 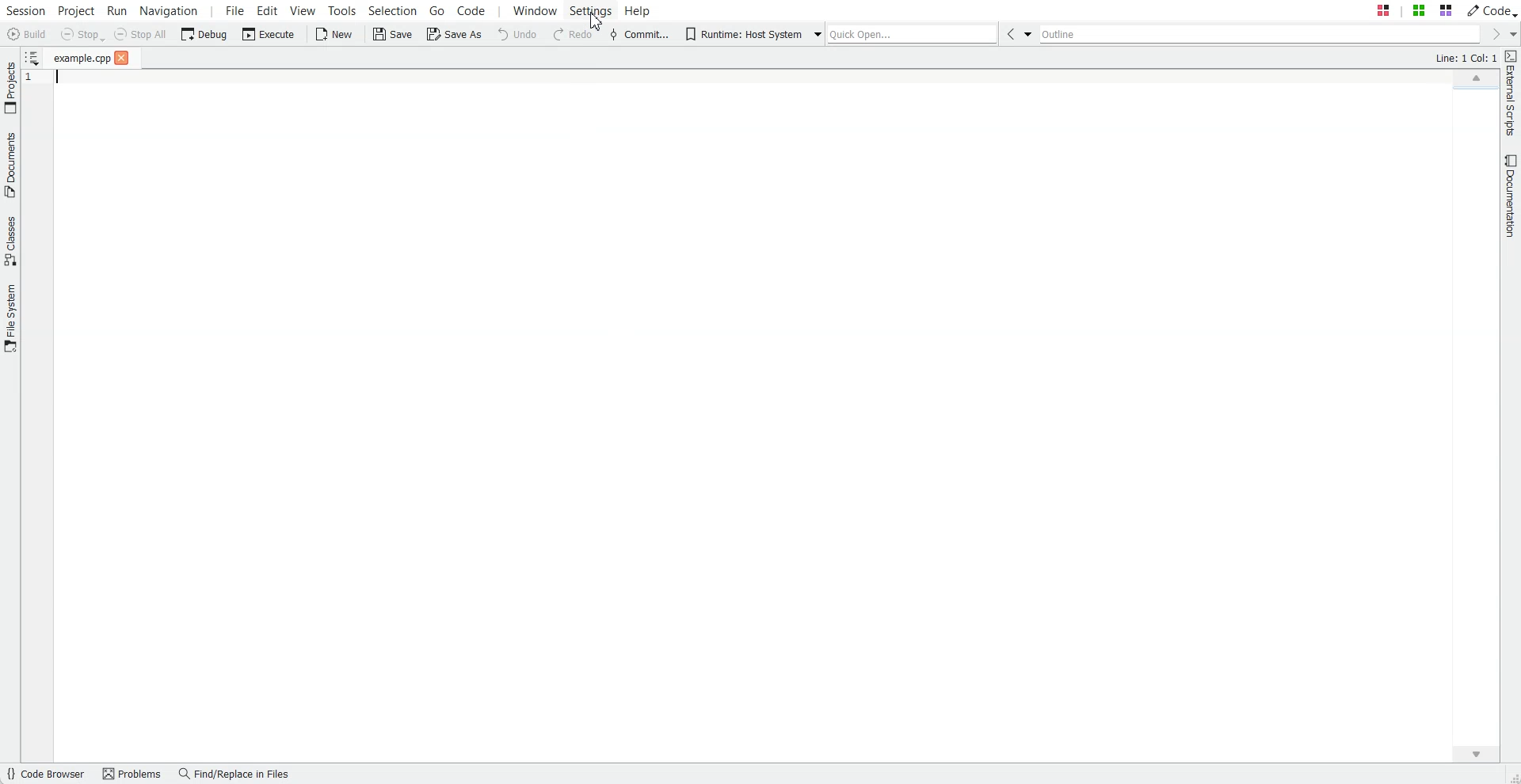 I want to click on Go Back, so click(x=1008, y=33).